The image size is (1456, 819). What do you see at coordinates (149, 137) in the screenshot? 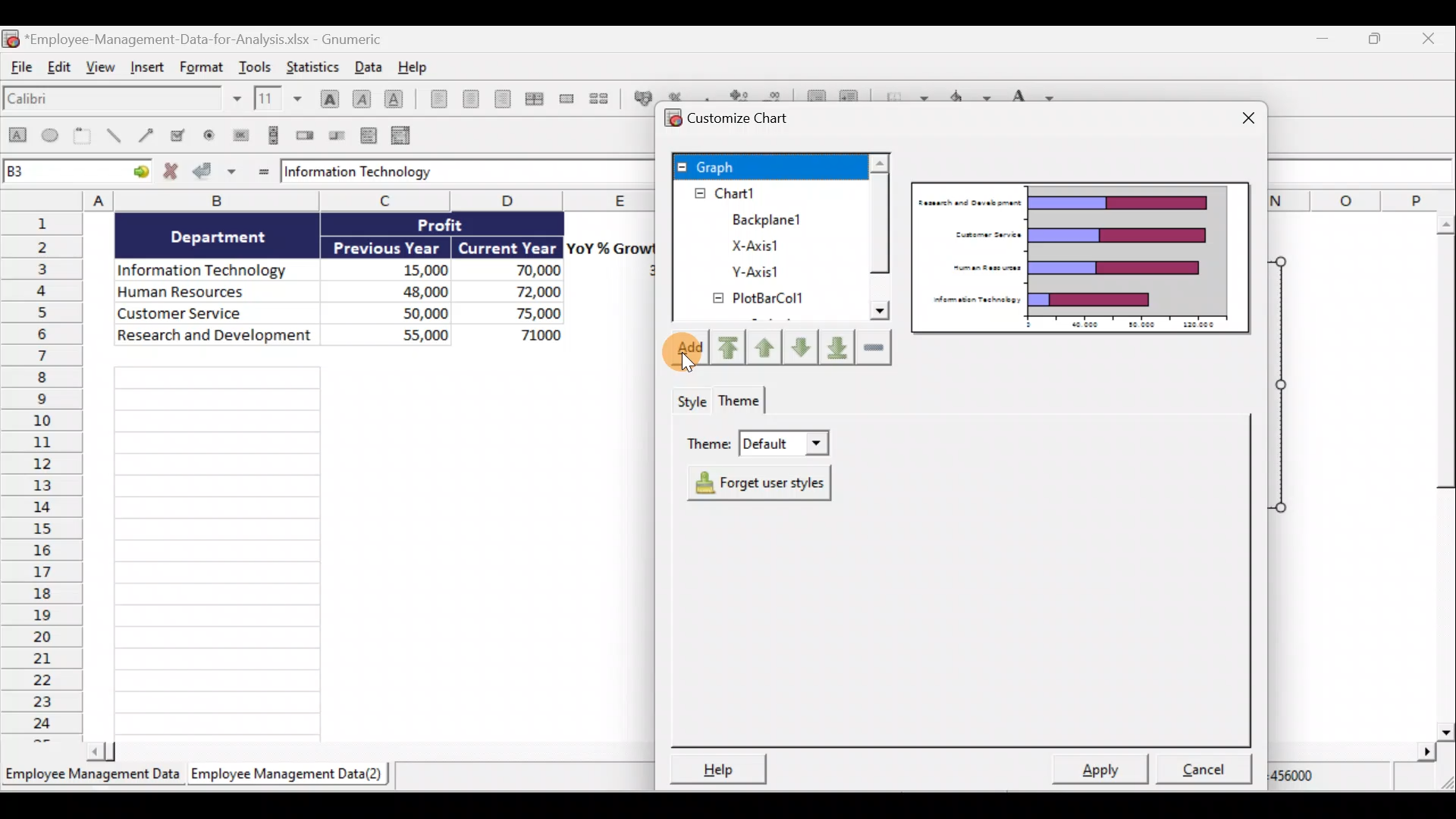
I see `Create an arrow object` at bounding box center [149, 137].